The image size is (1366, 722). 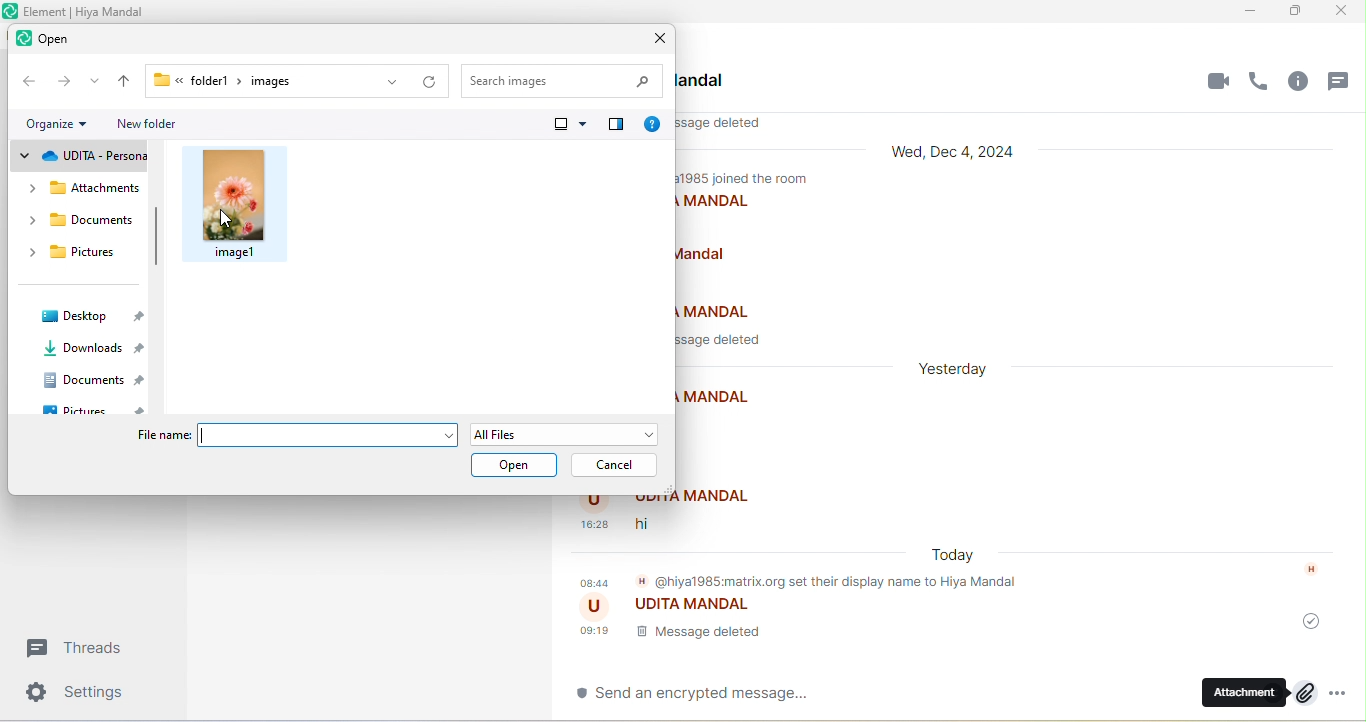 What do you see at coordinates (1306, 85) in the screenshot?
I see `room info` at bounding box center [1306, 85].